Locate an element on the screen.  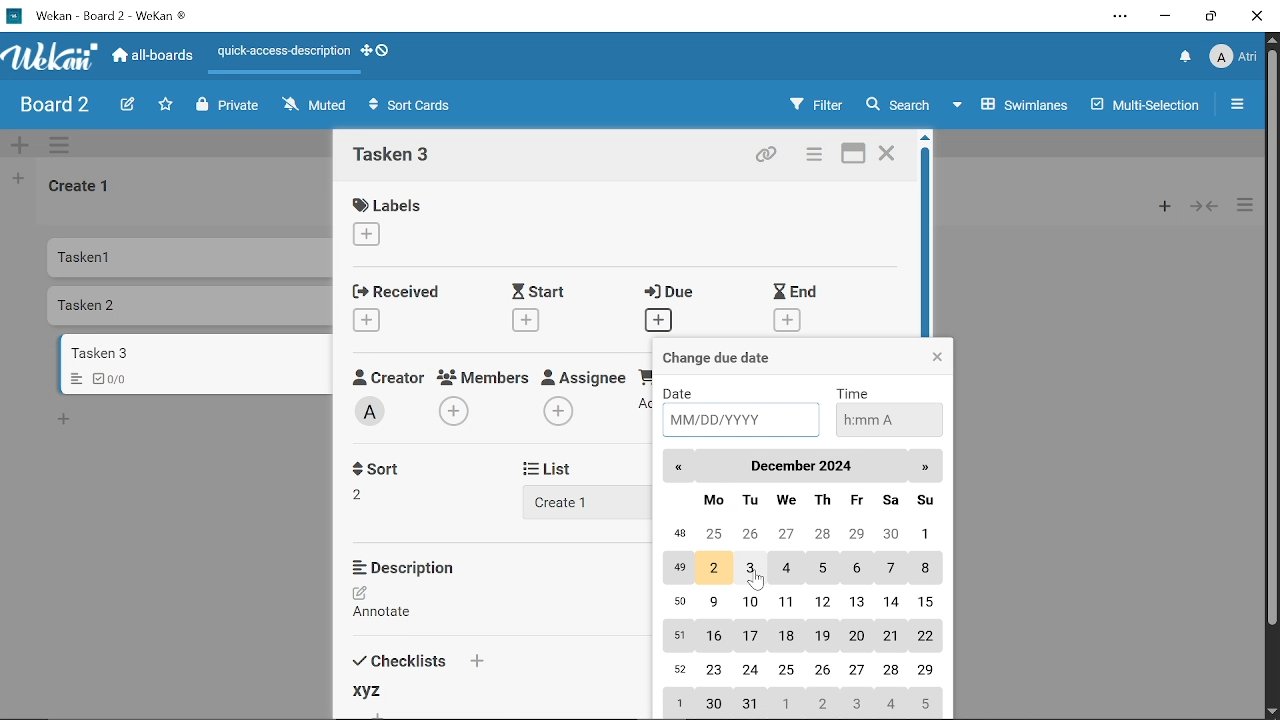
Add members is located at coordinates (456, 412).